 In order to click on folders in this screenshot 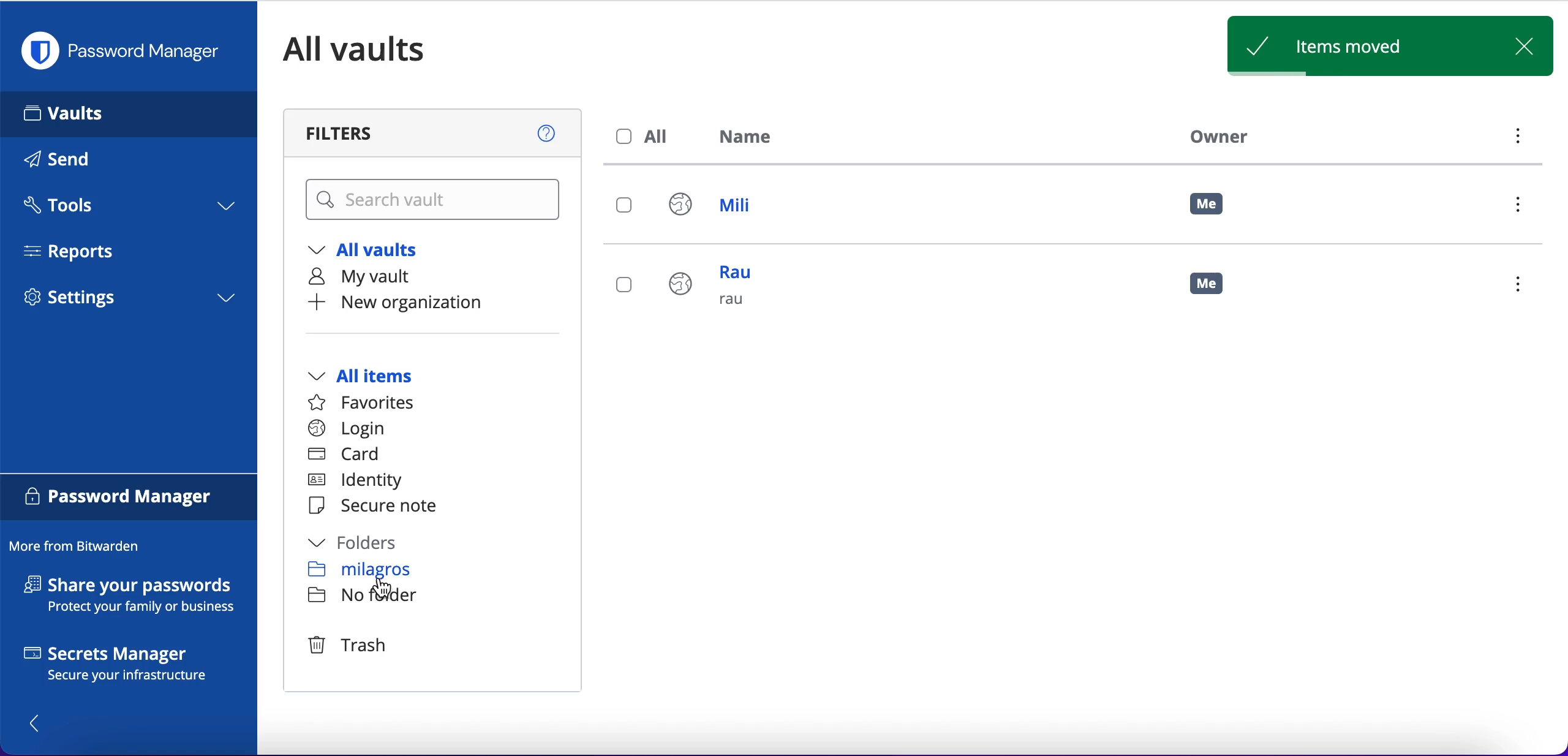, I will do `click(366, 545)`.